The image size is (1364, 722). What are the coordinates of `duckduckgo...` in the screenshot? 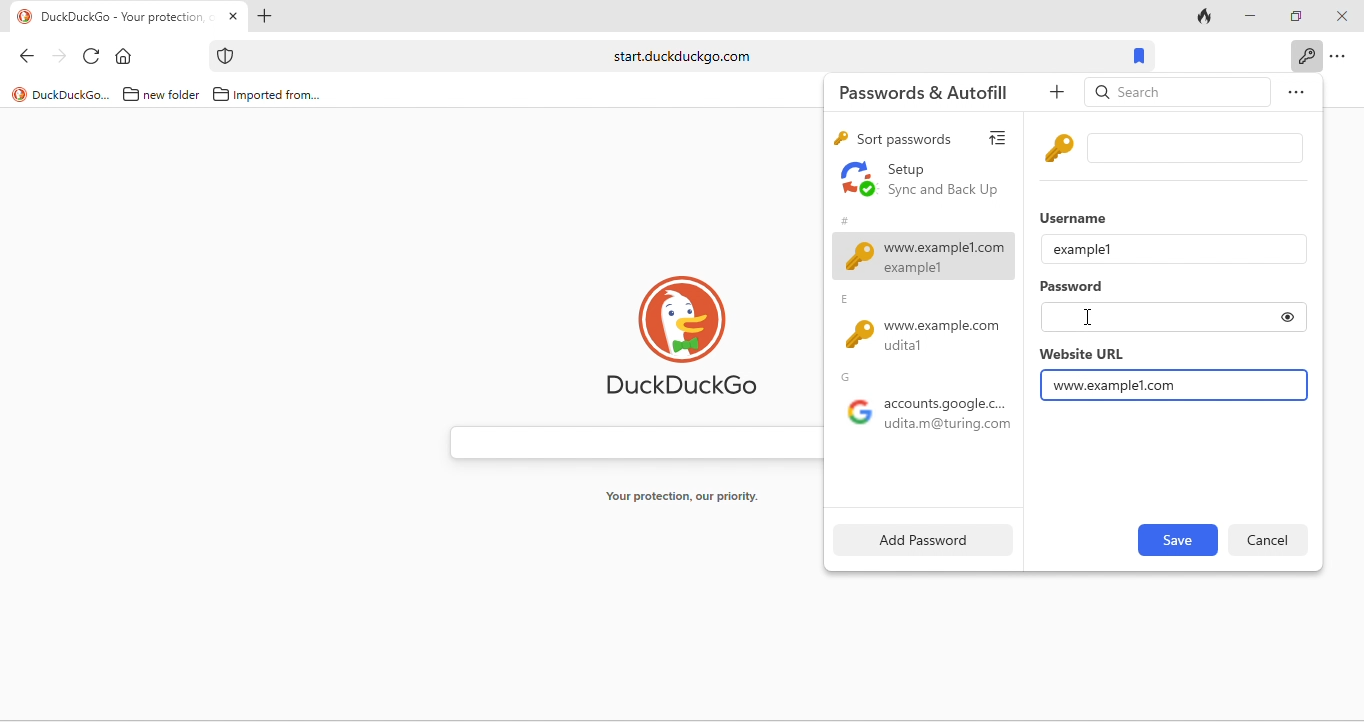 It's located at (72, 96).